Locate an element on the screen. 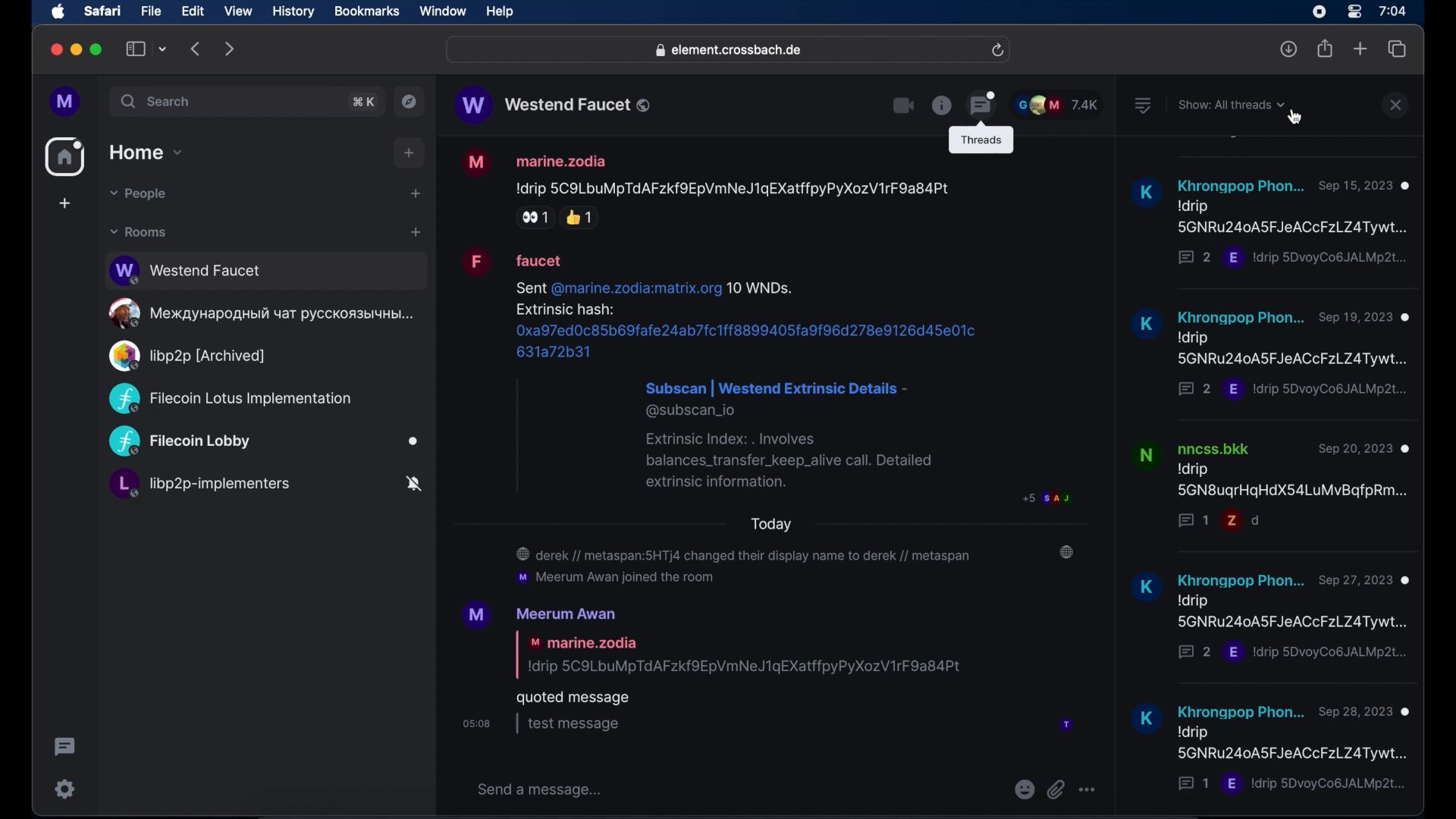 The width and height of the screenshot is (1456, 819). downloads is located at coordinates (1289, 49).